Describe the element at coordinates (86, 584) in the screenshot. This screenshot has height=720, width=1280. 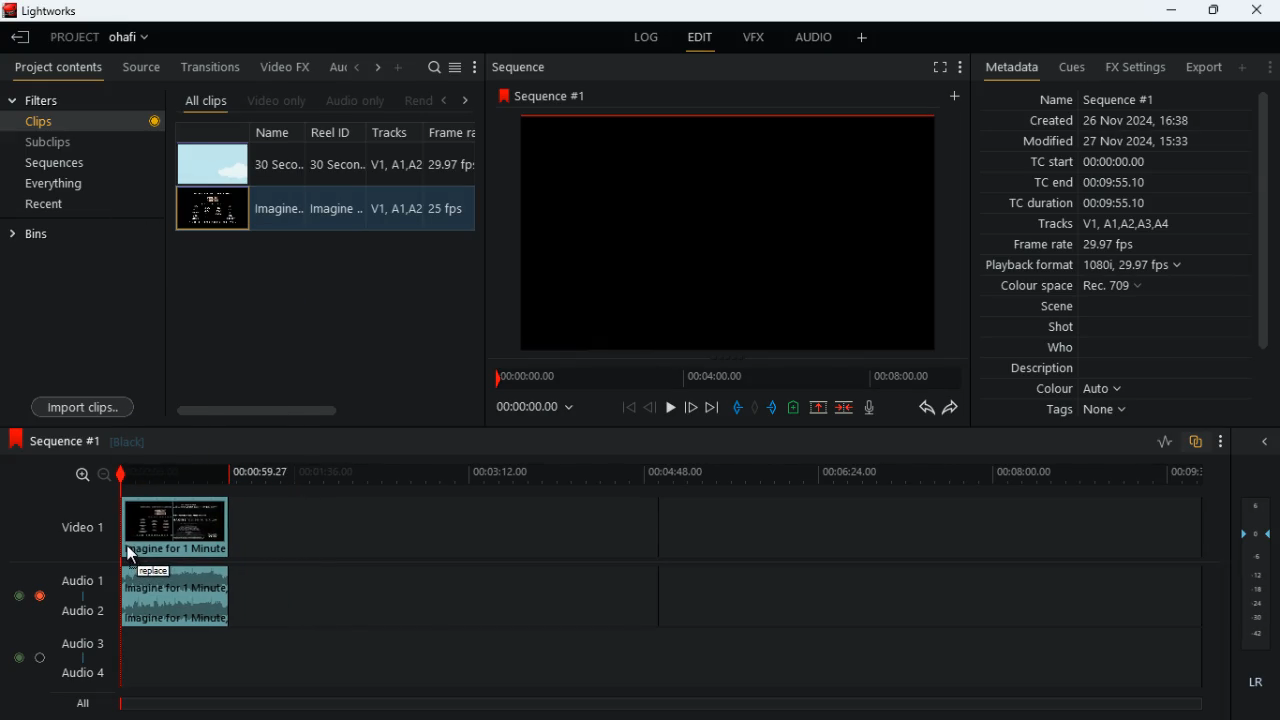
I see `audio 1` at that location.